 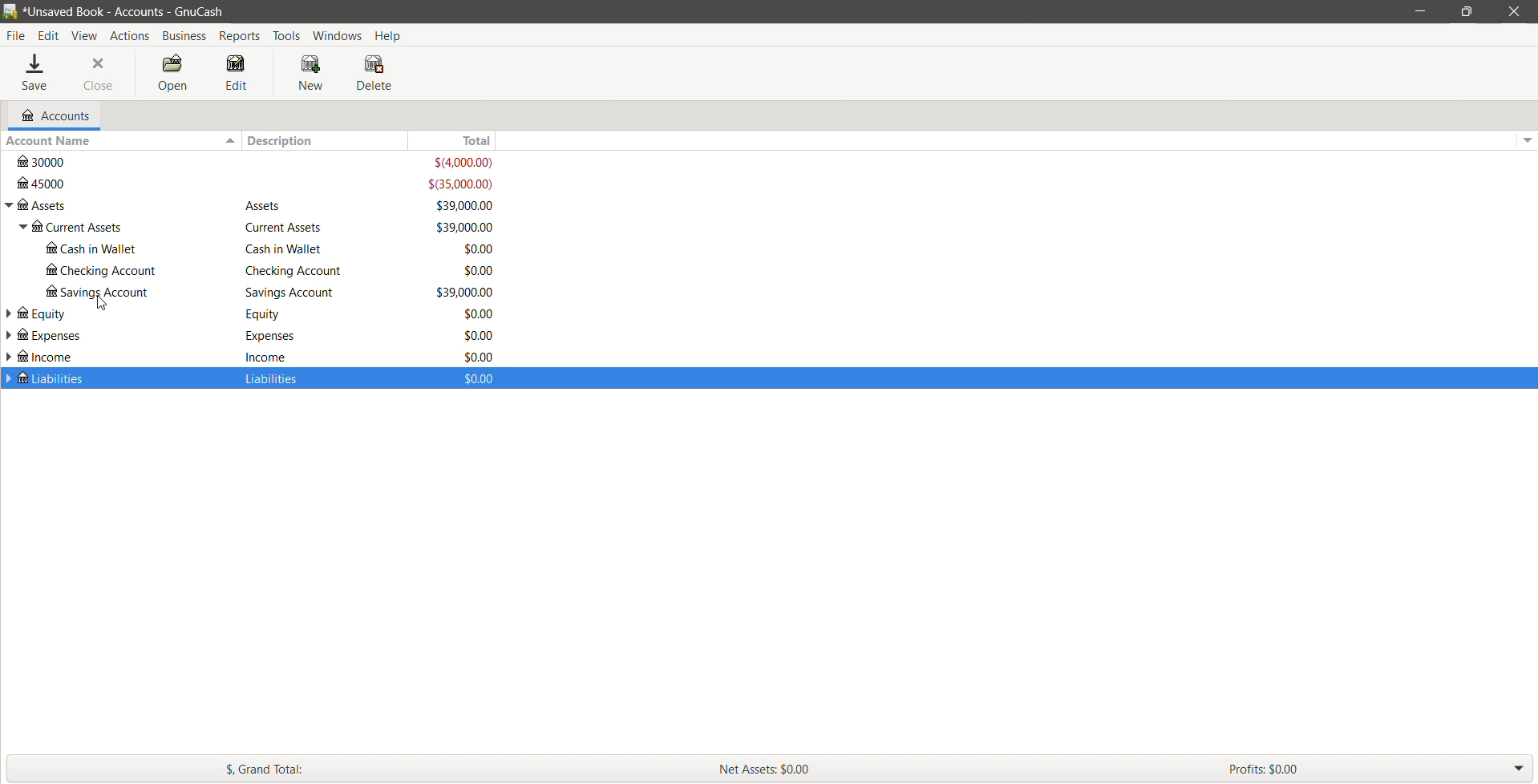 I want to click on Accounts, so click(x=51, y=115).